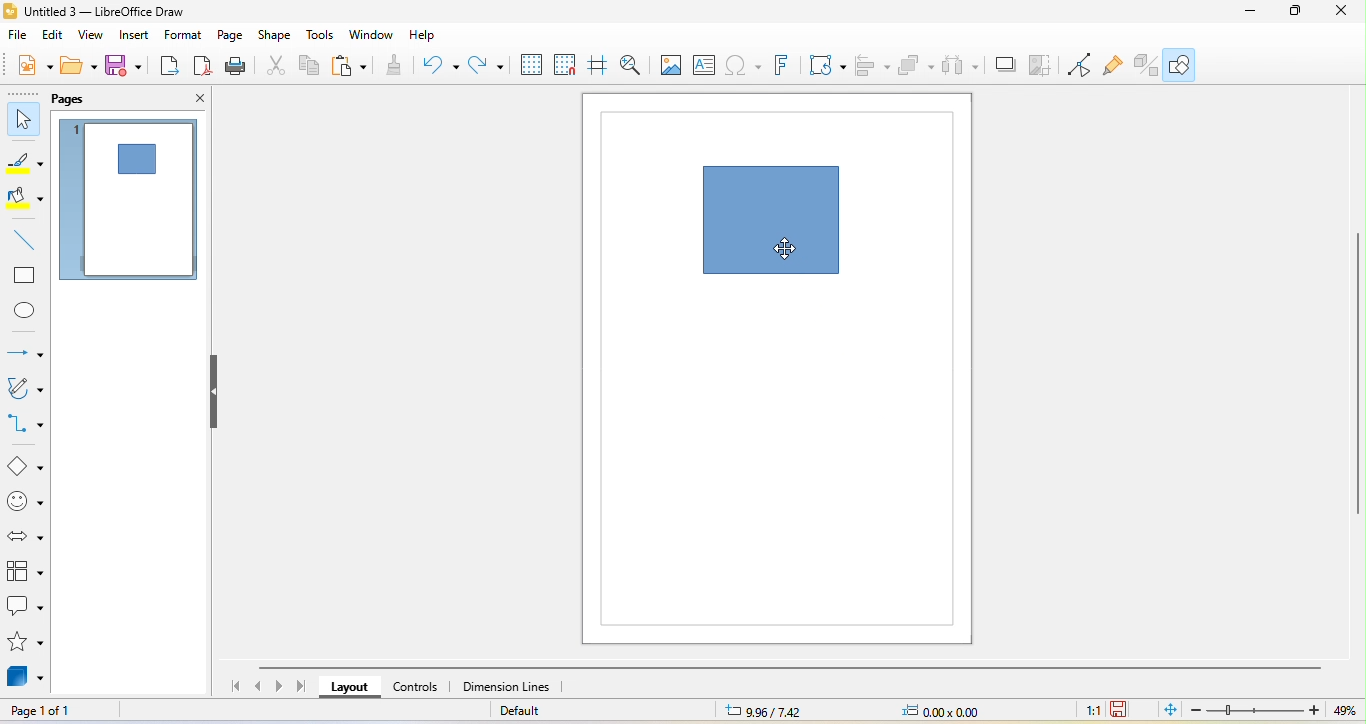 The width and height of the screenshot is (1366, 724). What do you see at coordinates (95, 37) in the screenshot?
I see `view` at bounding box center [95, 37].